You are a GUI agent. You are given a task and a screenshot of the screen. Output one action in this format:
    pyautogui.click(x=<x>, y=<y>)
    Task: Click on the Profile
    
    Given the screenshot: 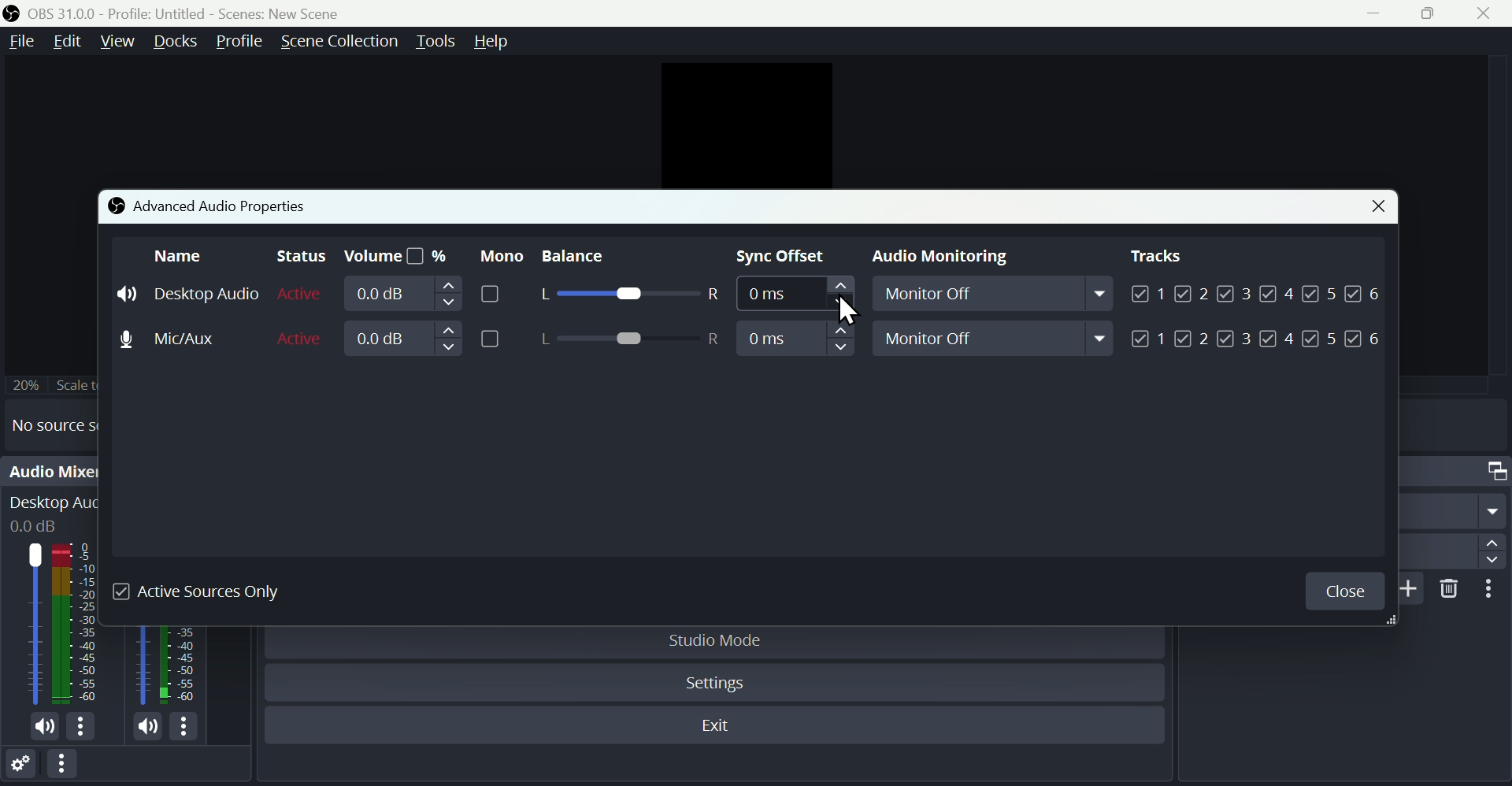 What is the action you would take?
    pyautogui.click(x=238, y=42)
    